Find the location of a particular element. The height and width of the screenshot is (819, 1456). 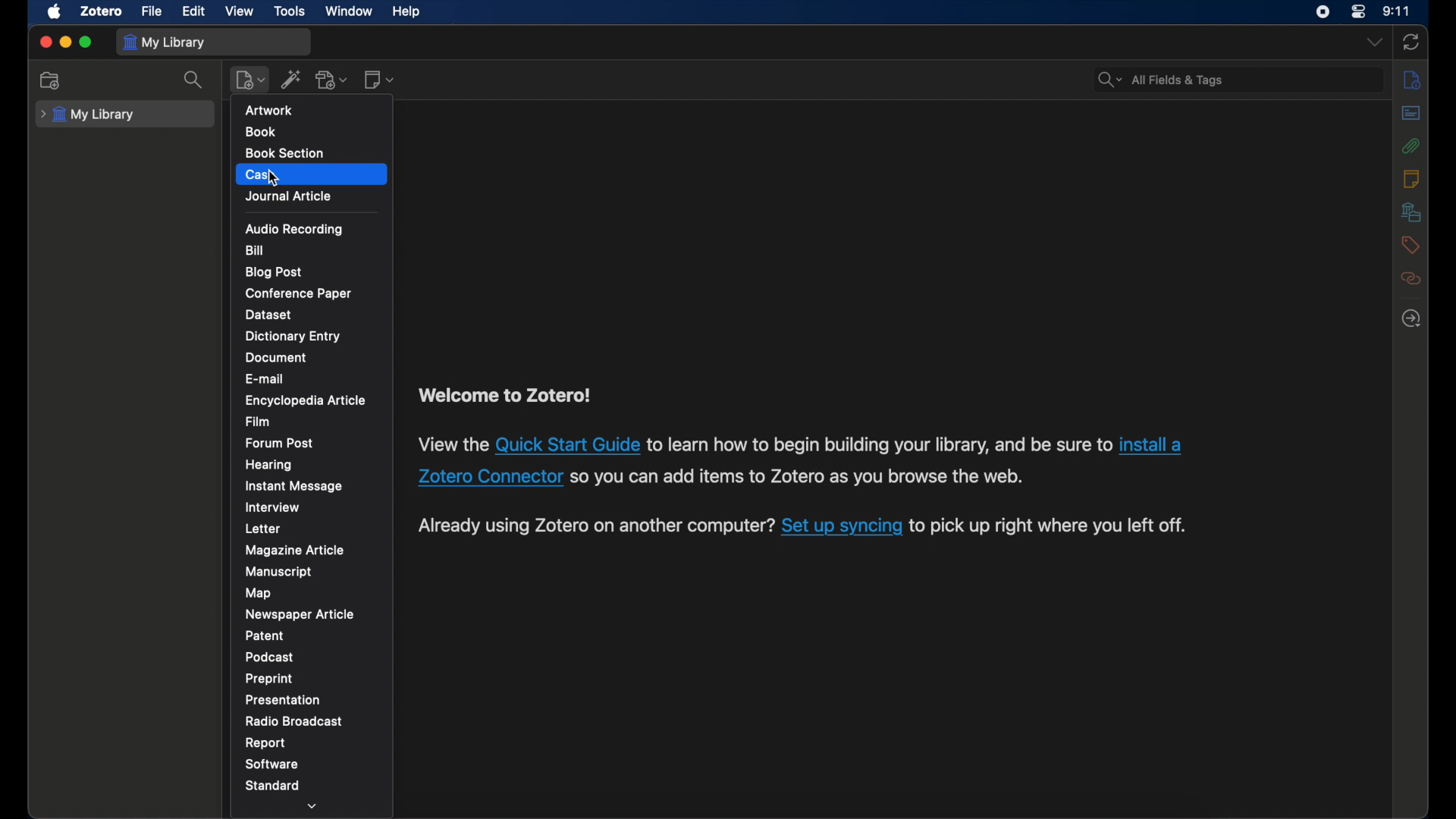

encyclopedia article is located at coordinates (306, 400).